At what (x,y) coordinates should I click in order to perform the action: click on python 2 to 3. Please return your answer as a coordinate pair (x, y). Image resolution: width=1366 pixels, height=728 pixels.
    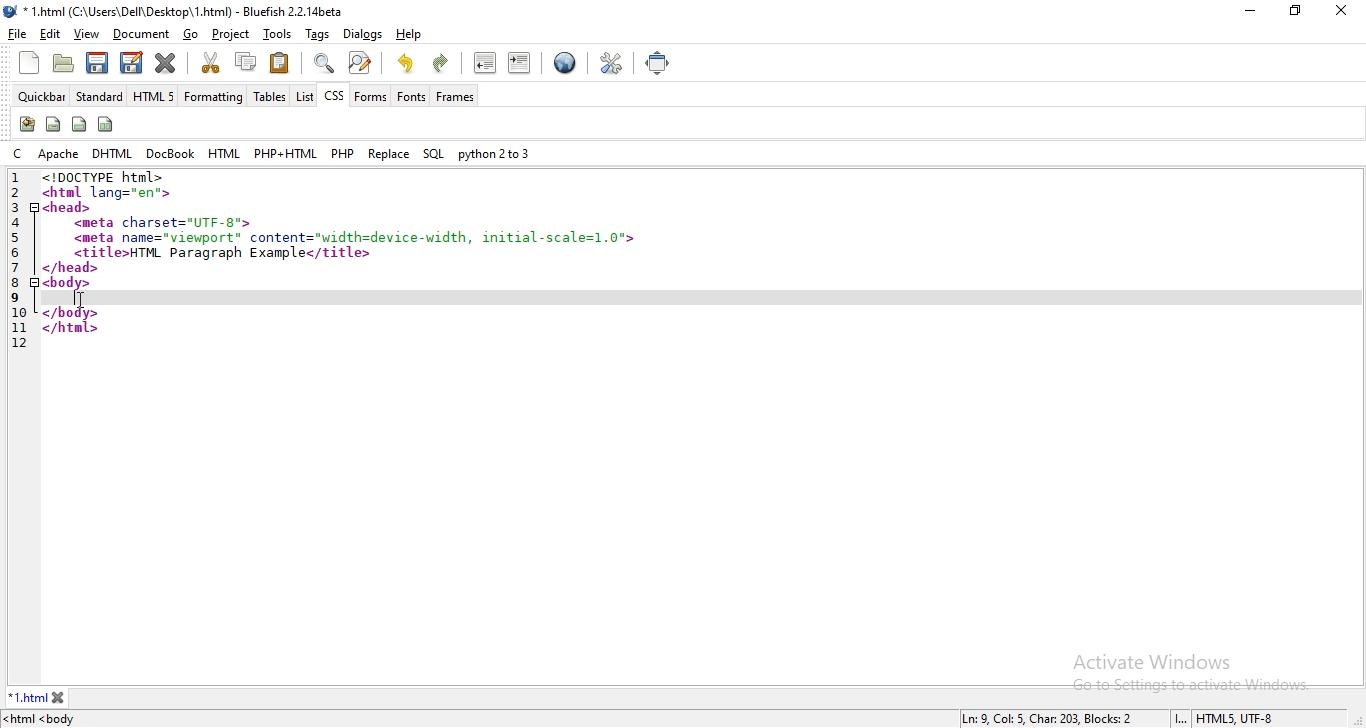
    Looking at the image, I should click on (493, 154).